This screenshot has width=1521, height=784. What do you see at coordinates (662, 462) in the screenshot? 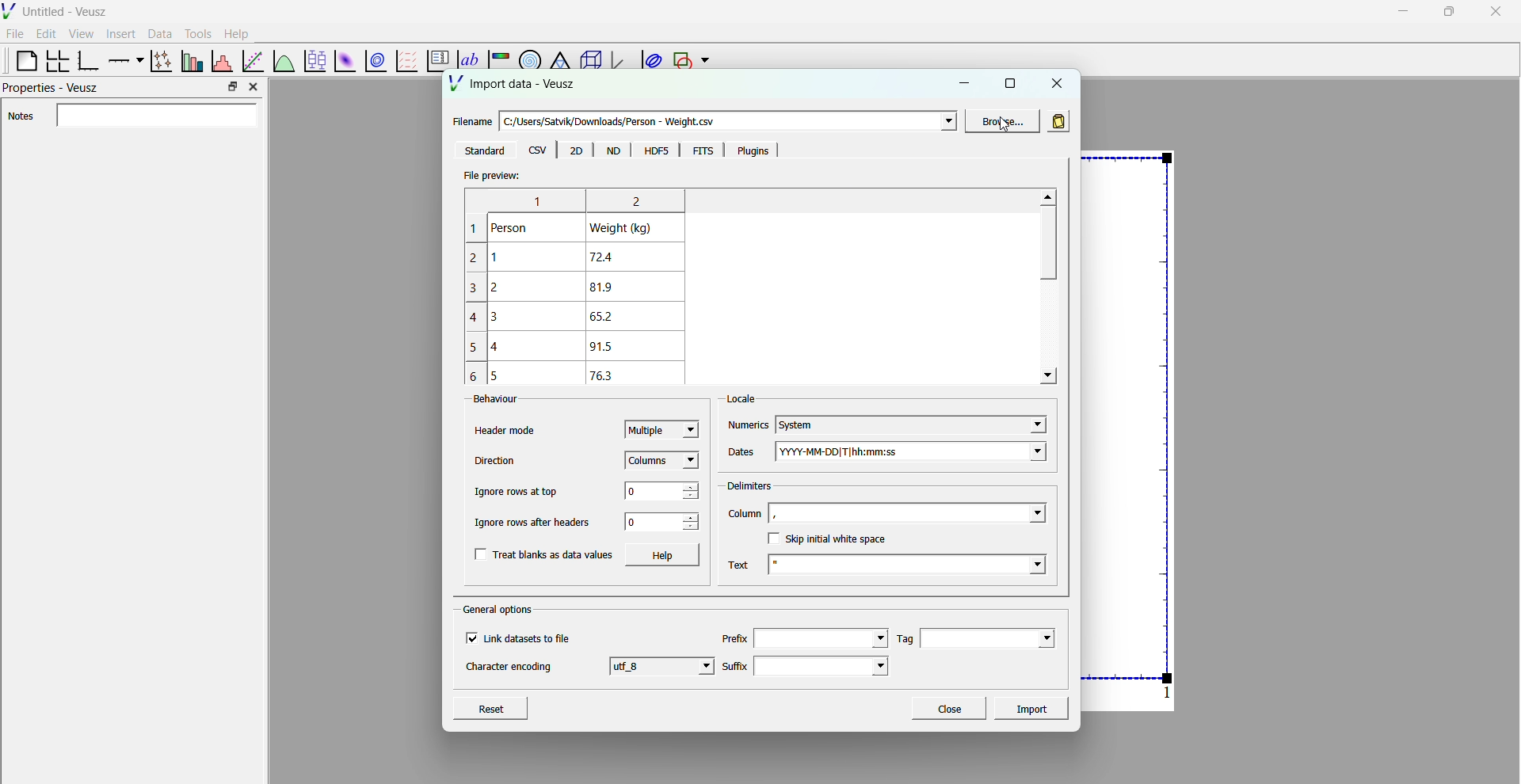
I see `Columns - dropdown` at bounding box center [662, 462].